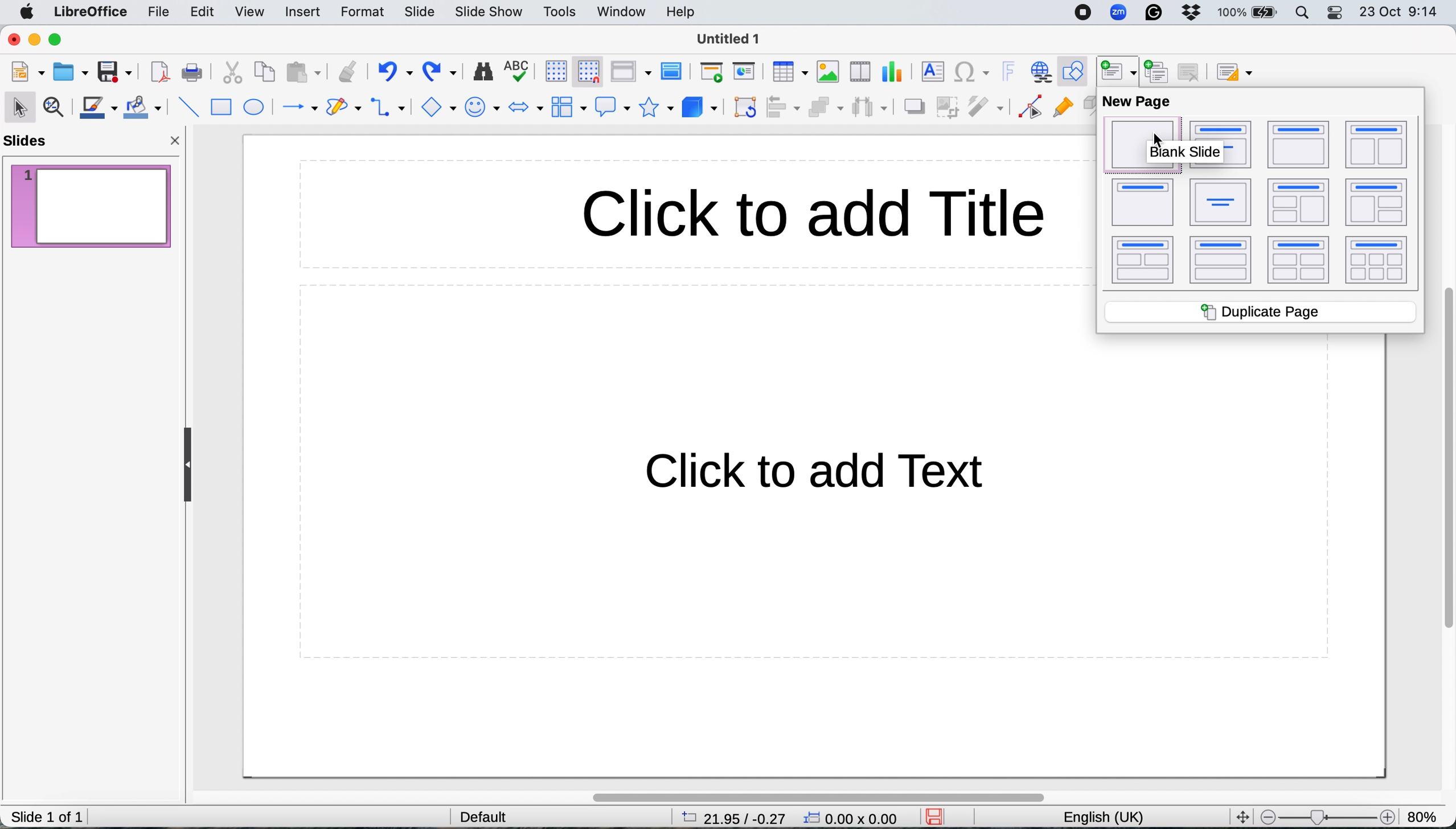 Image resolution: width=1456 pixels, height=829 pixels. I want to click on slide show, so click(491, 13).